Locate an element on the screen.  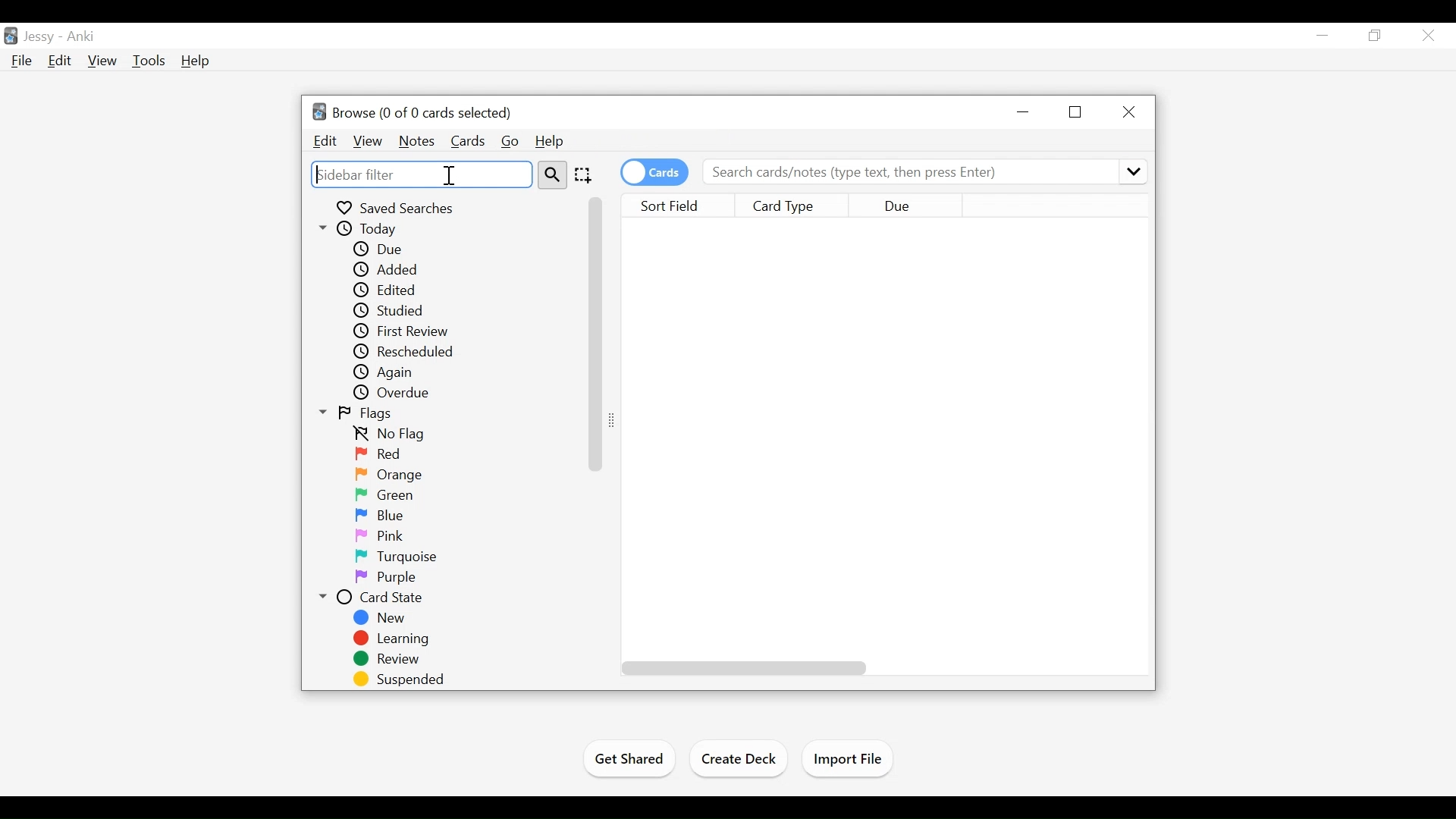
minimize is located at coordinates (1323, 35).